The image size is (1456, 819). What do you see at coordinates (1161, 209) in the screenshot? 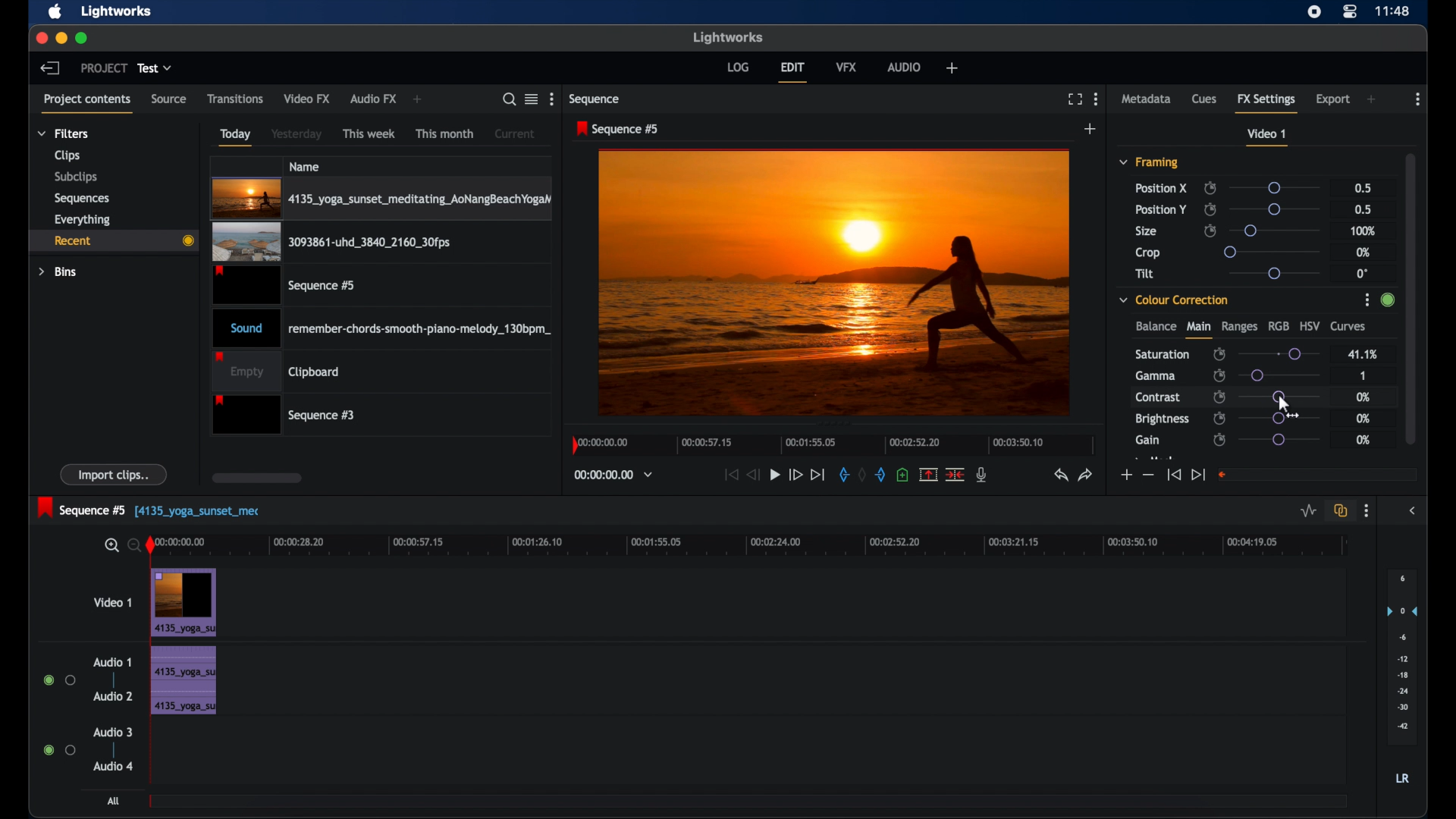
I see `position` at bounding box center [1161, 209].